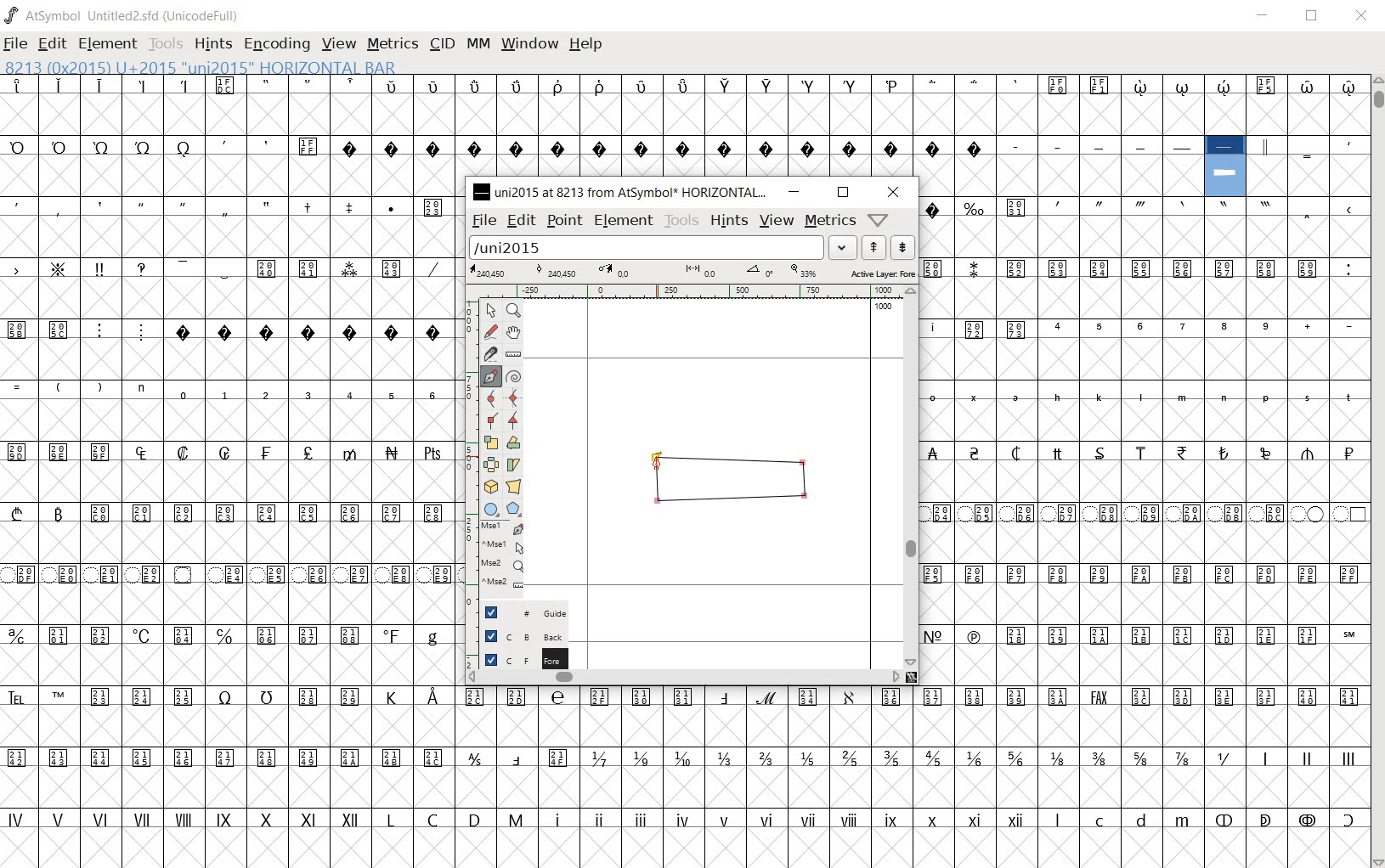  I want to click on Guide, so click(515, 612).